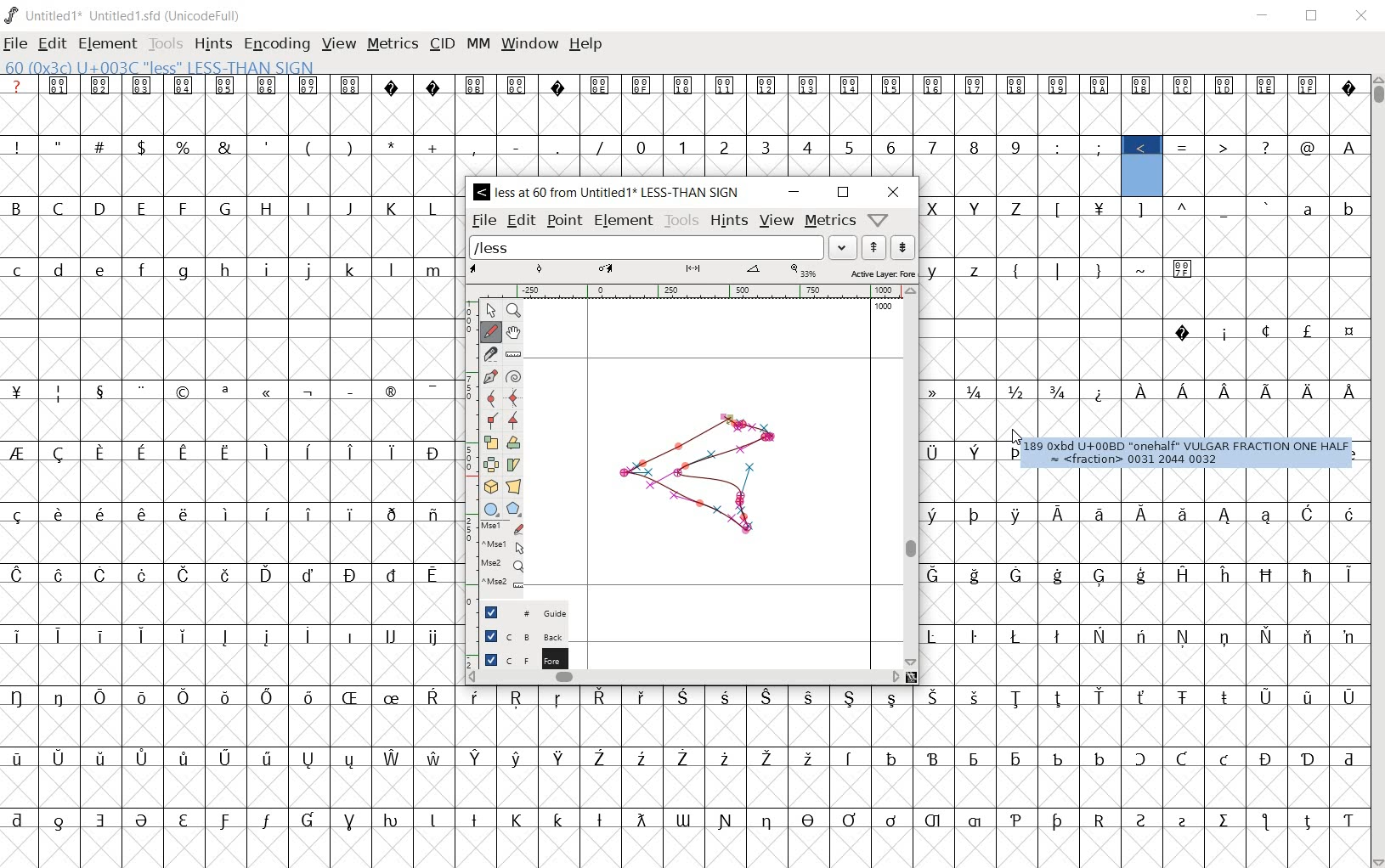 The image size is (1385, 868). What do you see at coordinates (516, 635) in the screenshot?
I see `background` at bounding box center [516, 635].